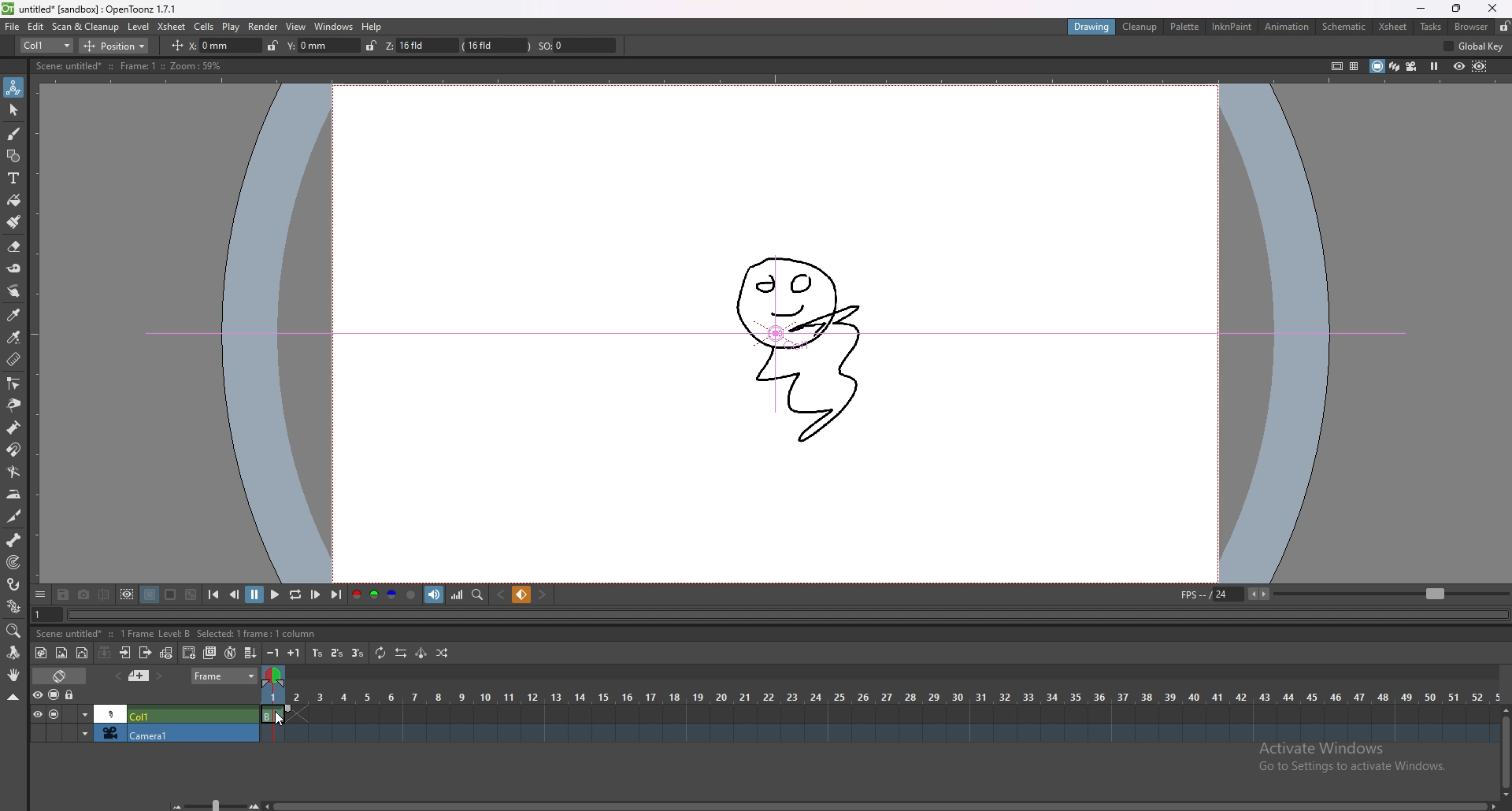  What do you see at coordinates (13, 428) in the screenshot?
I see `pump` at bounding box center [13, 428].